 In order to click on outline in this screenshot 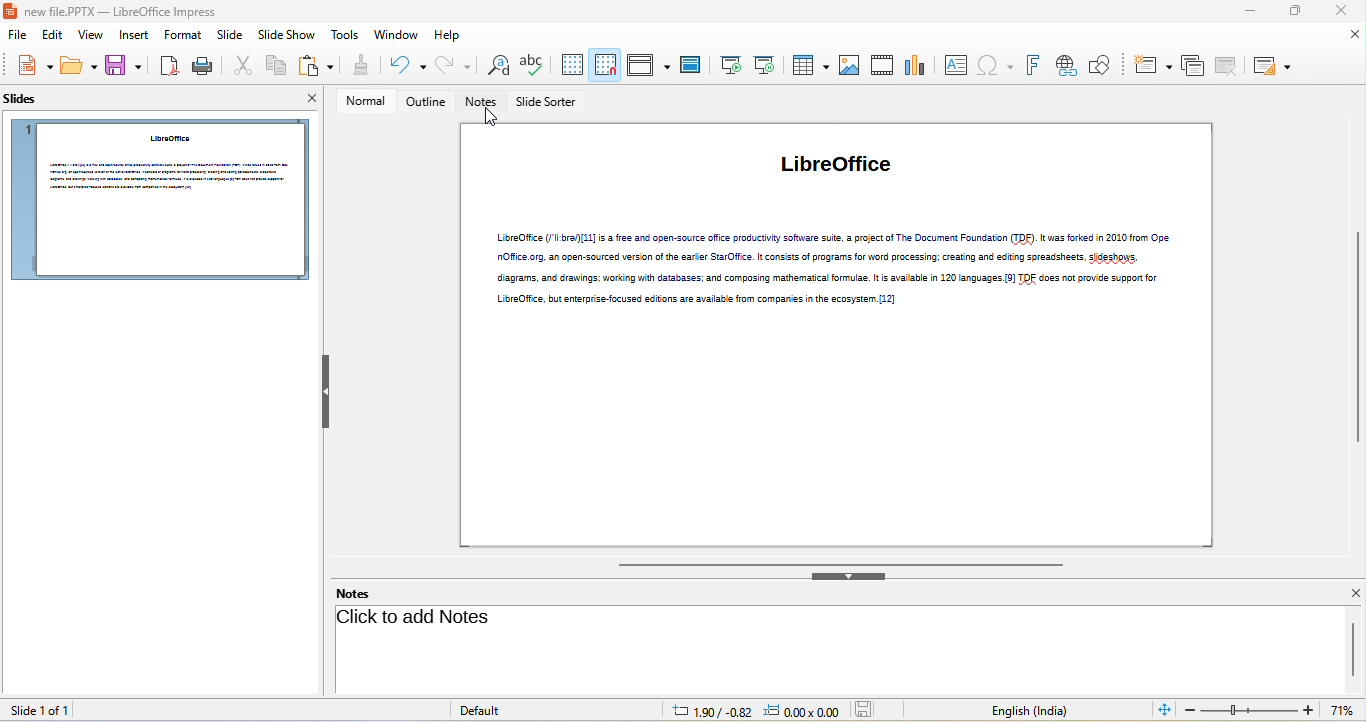, I will do `click(426, 102)`.